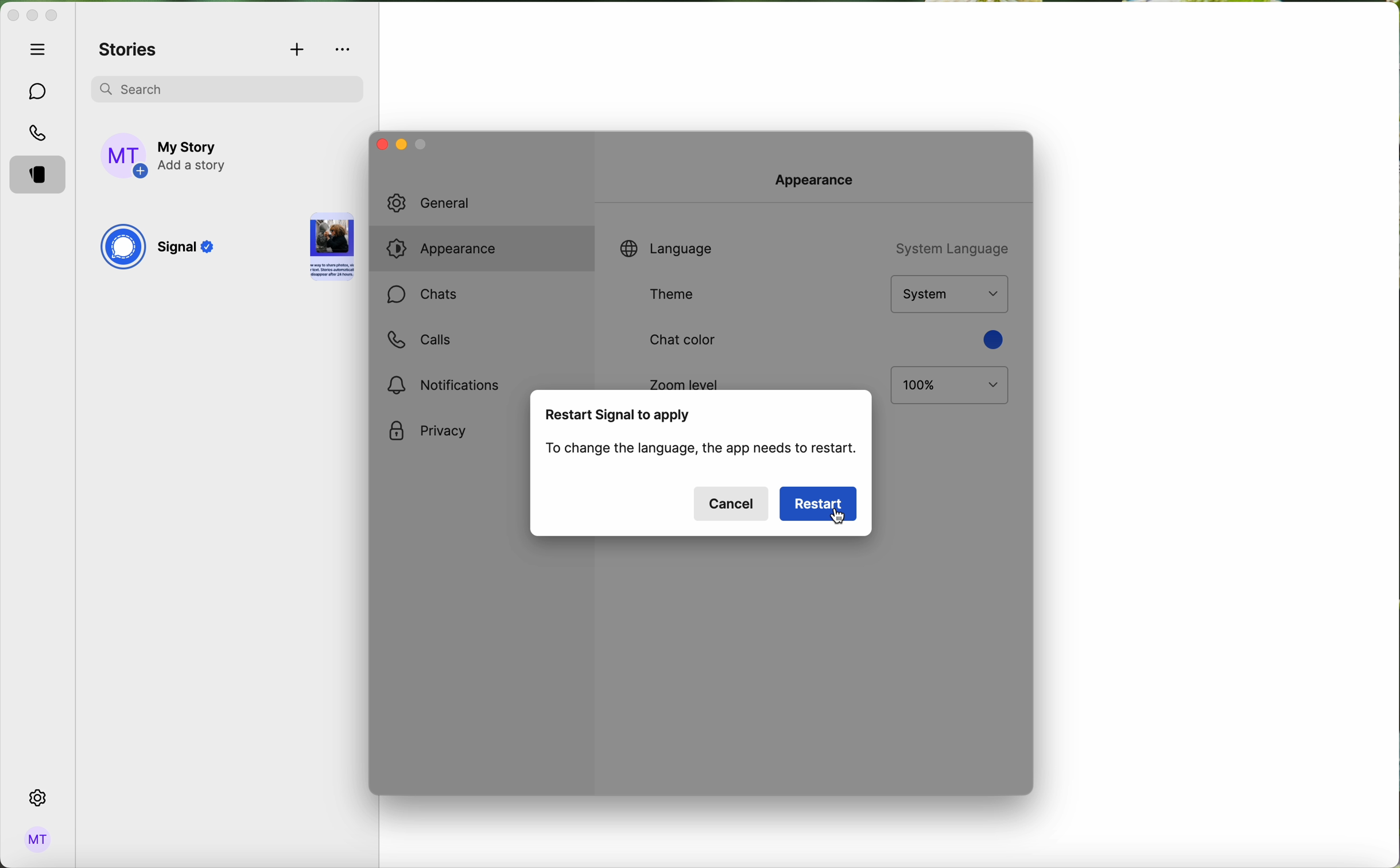  Describe the element at coordinates (950, 386) in the screenshot. I see `100%` at that location.